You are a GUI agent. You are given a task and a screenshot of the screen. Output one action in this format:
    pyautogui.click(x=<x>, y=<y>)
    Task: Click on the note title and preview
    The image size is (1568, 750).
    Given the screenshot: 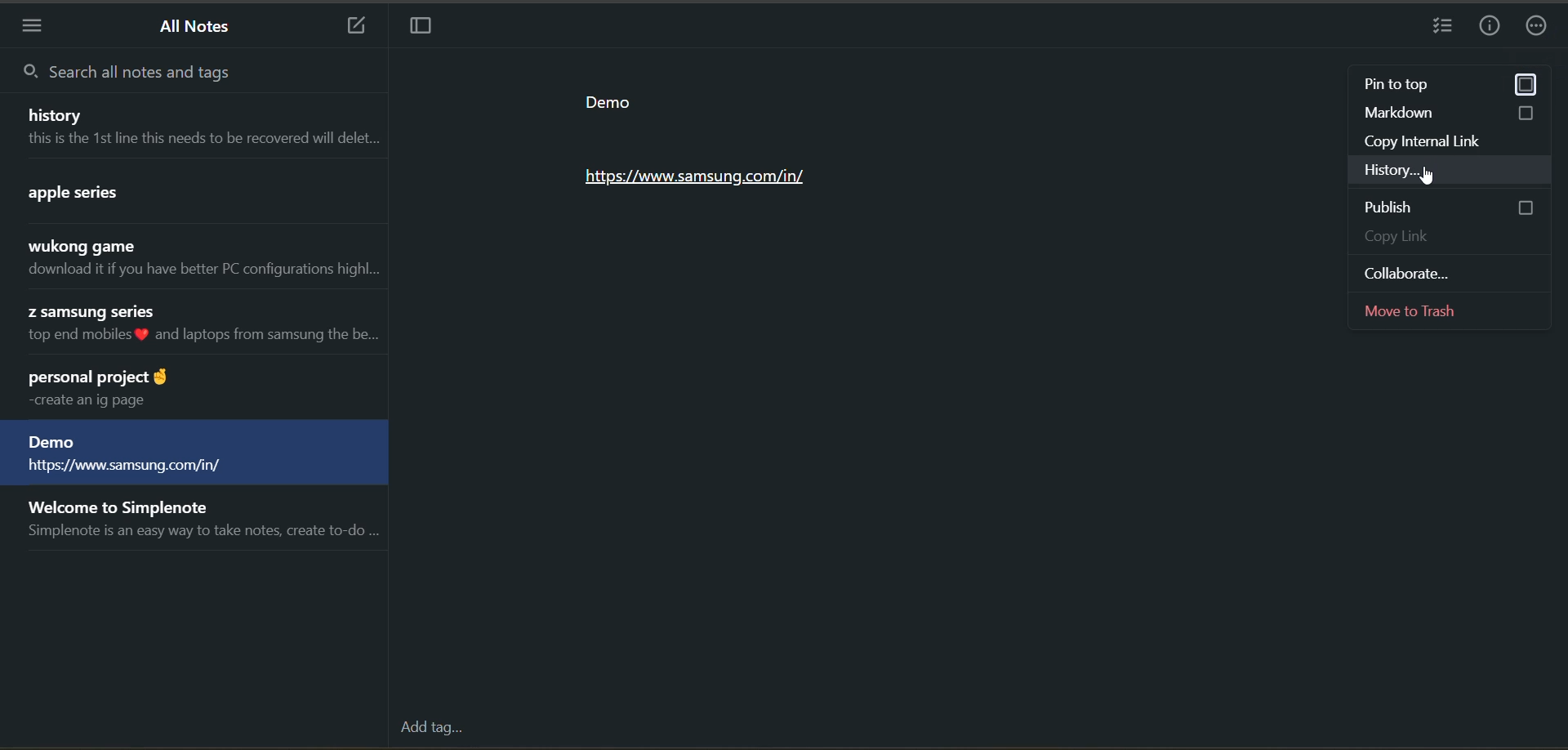 What is the action you would take?
    pyautogui.click(x=194, y=125)
    